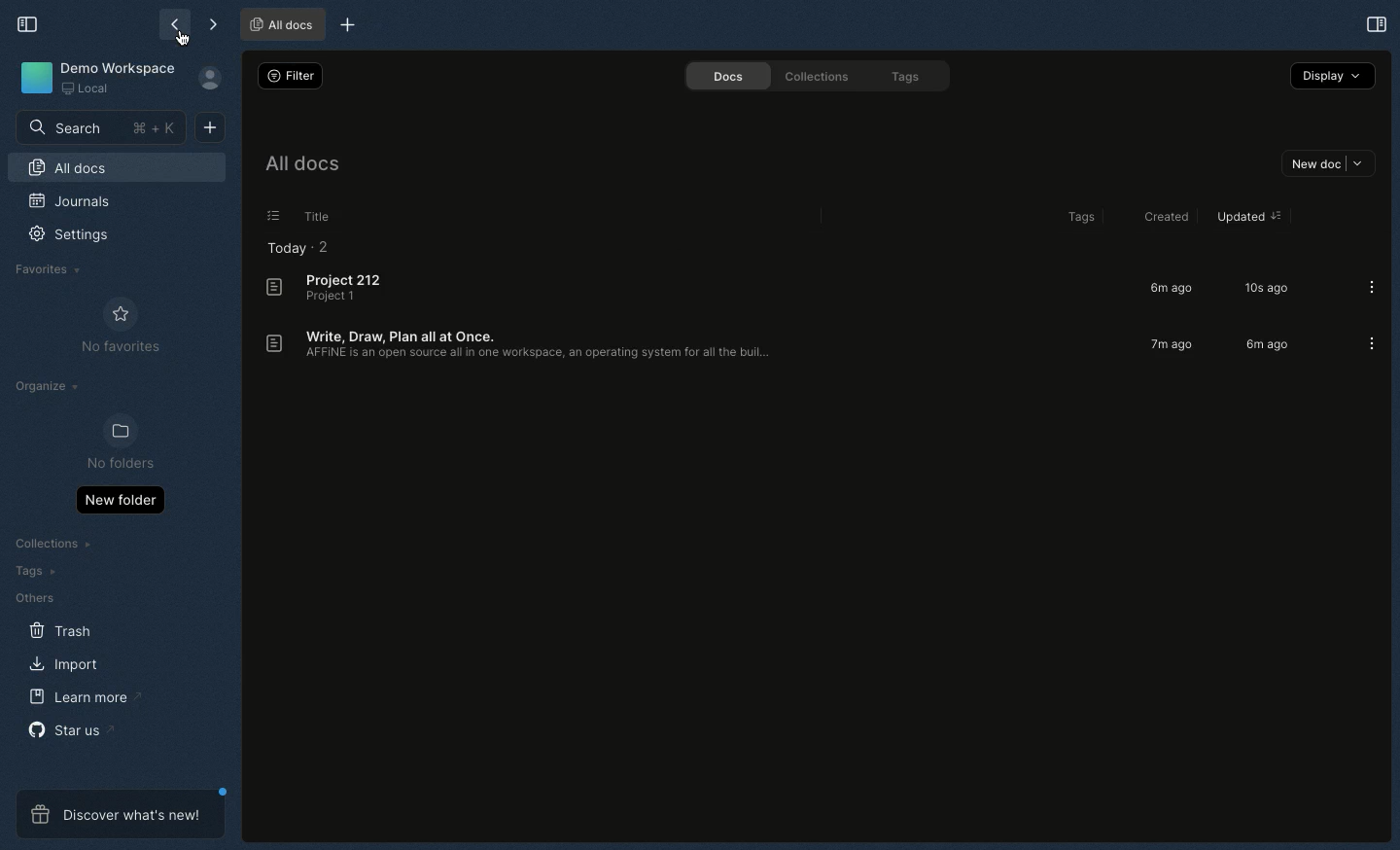 The image size is (1400, 850). Describe the element at coordinates (97, 128) in the screenshot. I see `Search` at that location.